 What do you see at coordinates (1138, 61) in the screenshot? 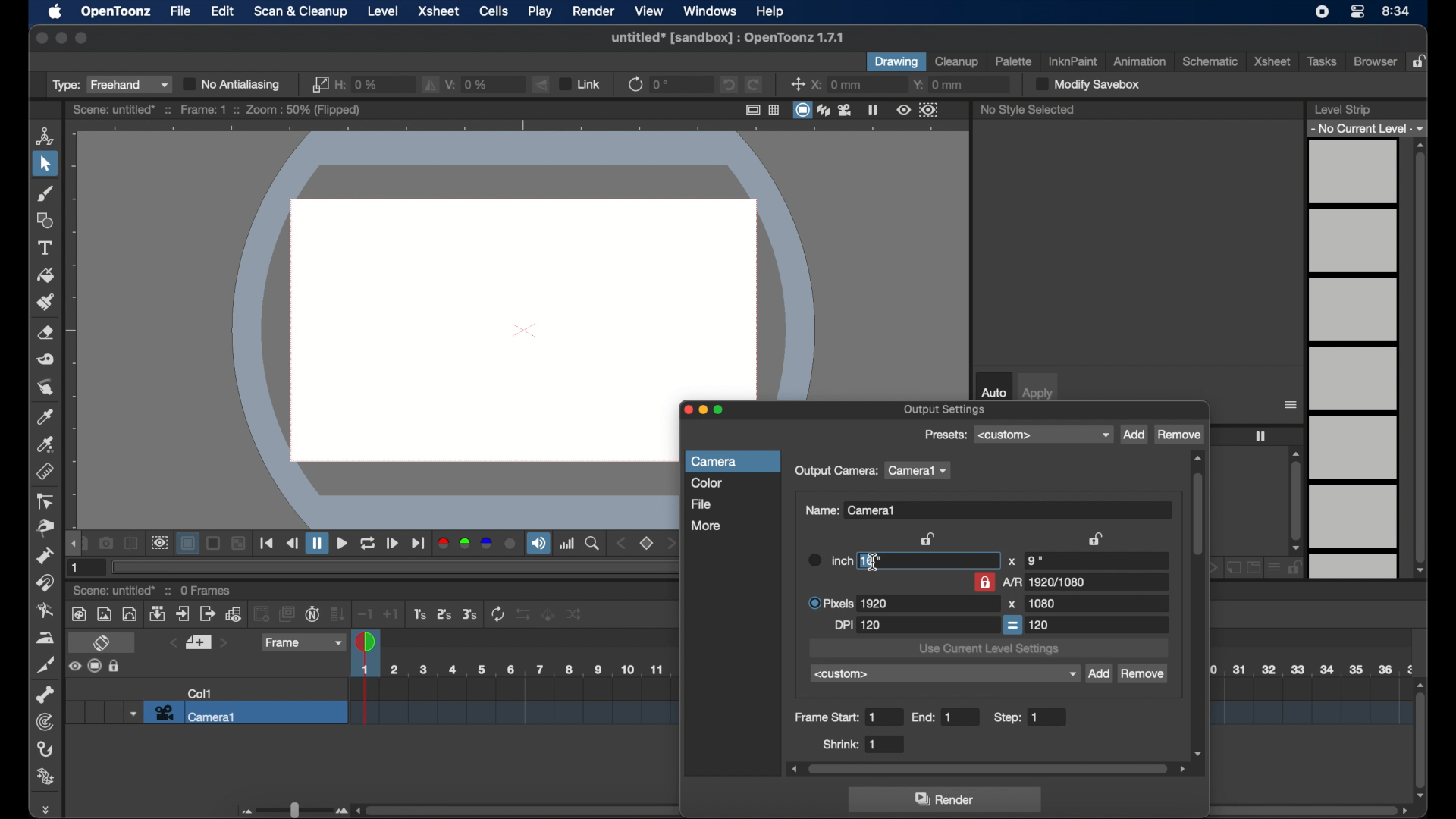
I see `animation` at bounding box center [1138, 61].